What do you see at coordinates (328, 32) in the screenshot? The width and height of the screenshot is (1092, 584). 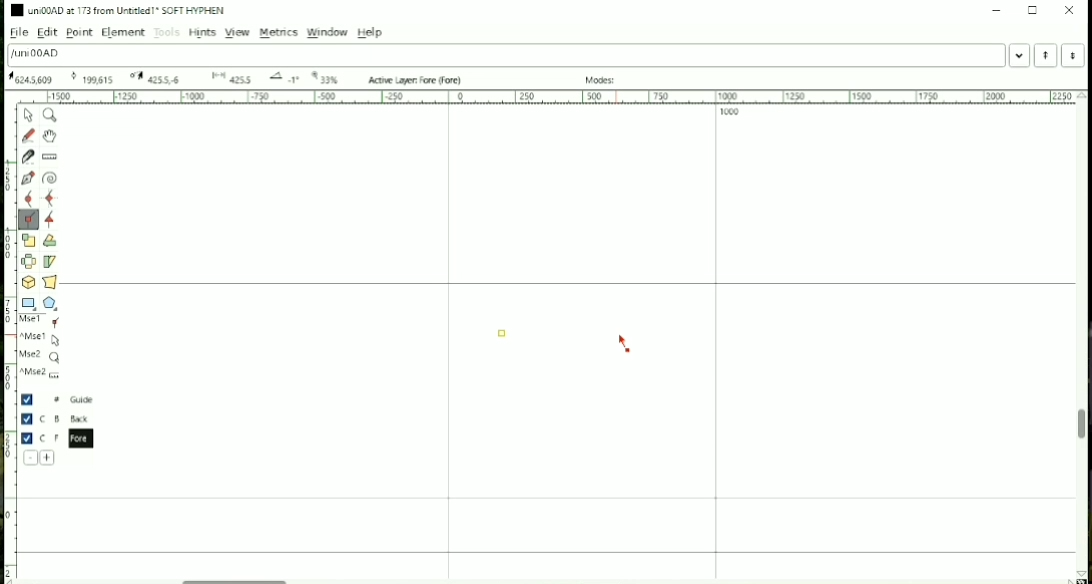 I see `Window` at bounding box center [328, 32].